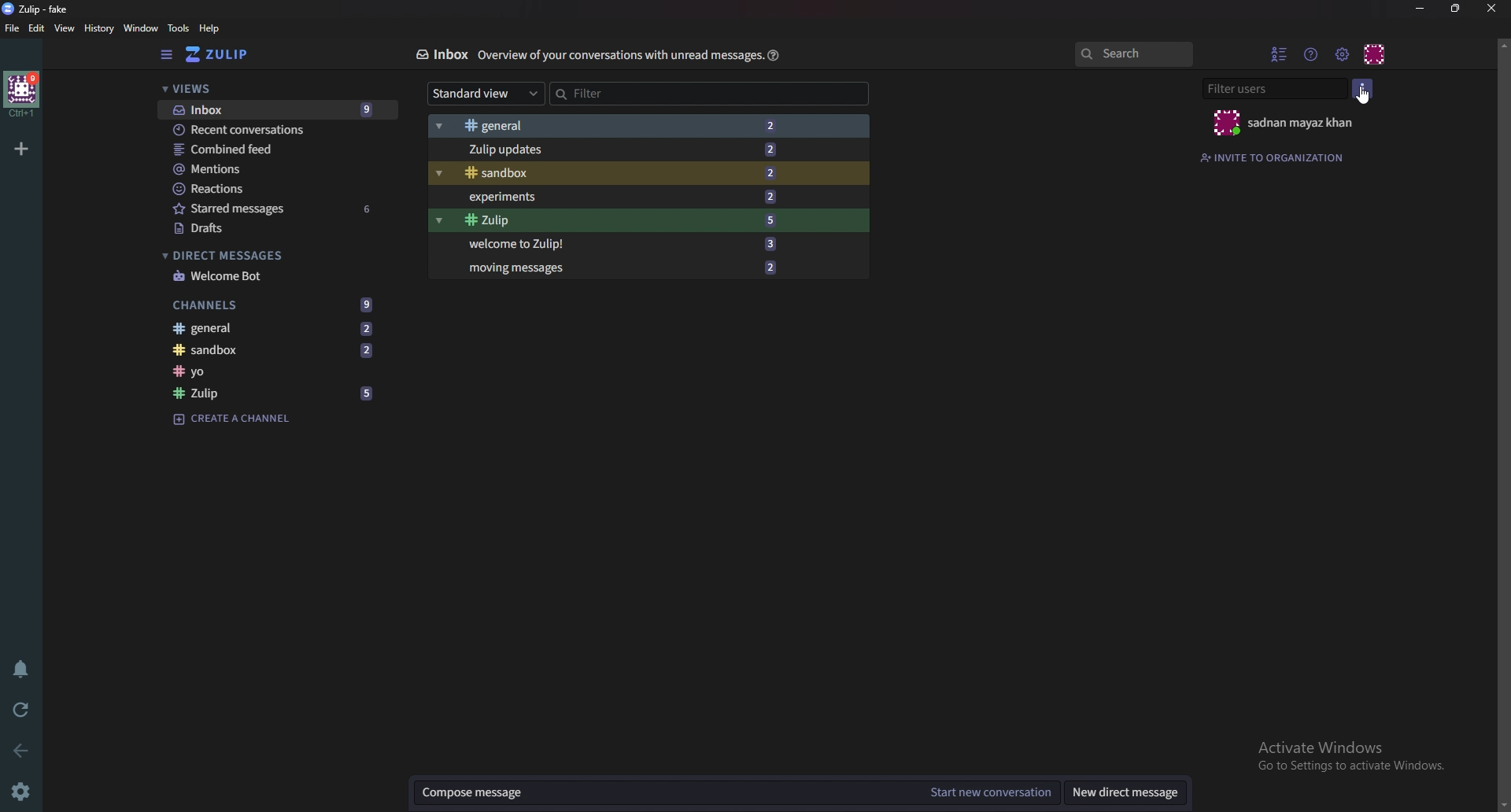  I want to click on Mentions, so click(266, 168).